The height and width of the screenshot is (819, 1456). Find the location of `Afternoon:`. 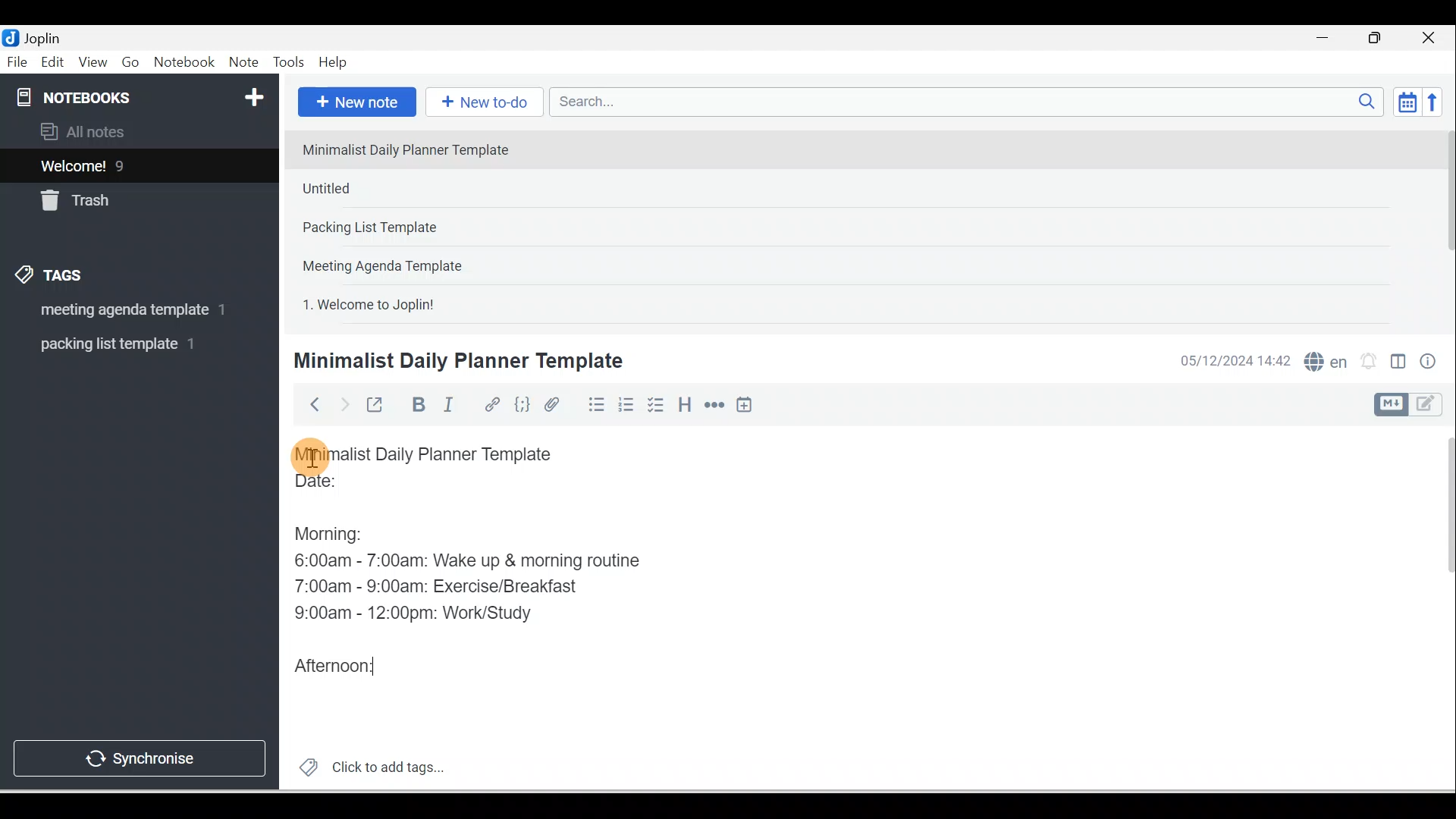

Afternoon: is located at coordinates (340, 663).